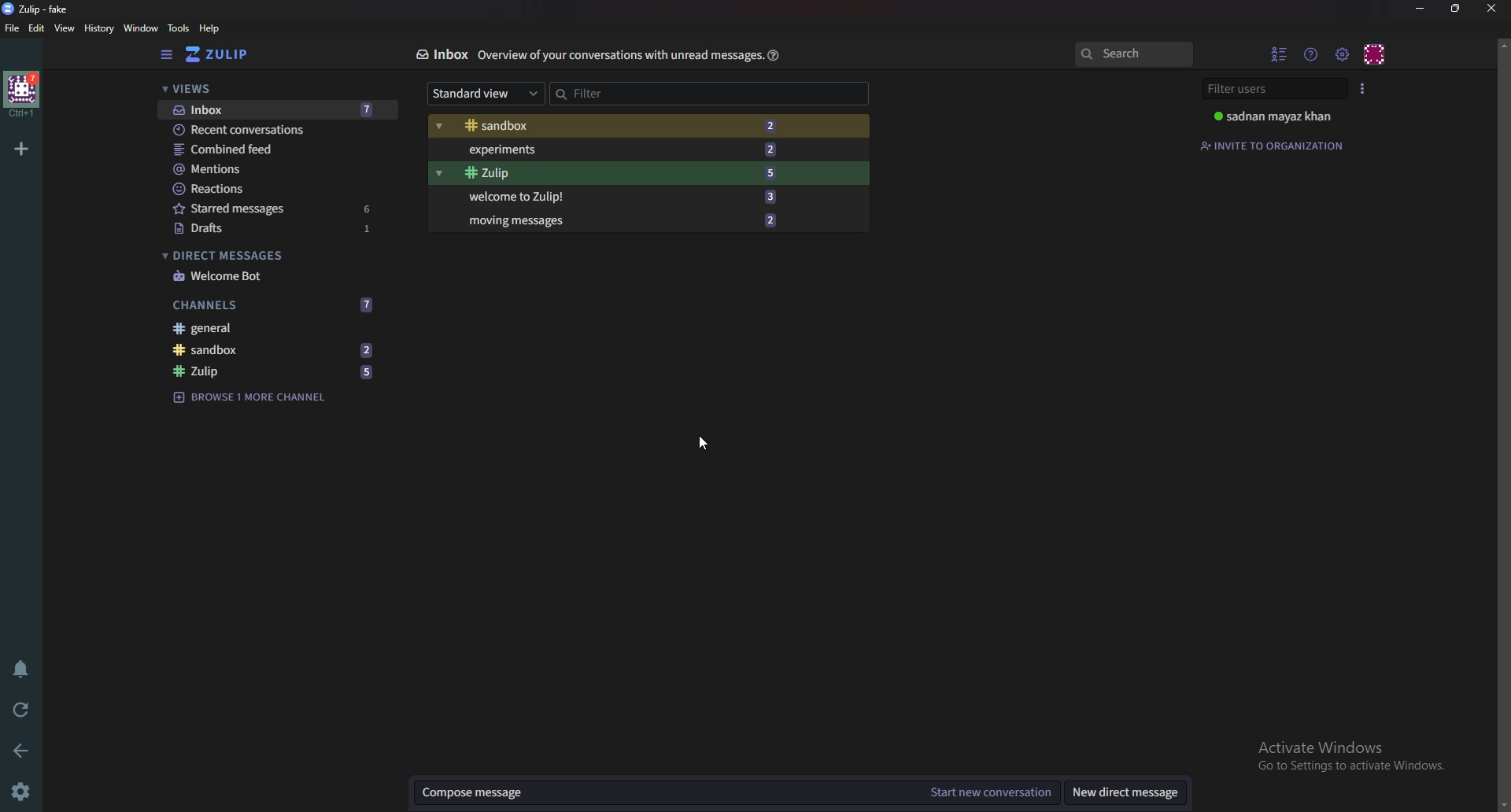 The image size is (1511, 812). I want to click on Direct messages, so click(268, 254).